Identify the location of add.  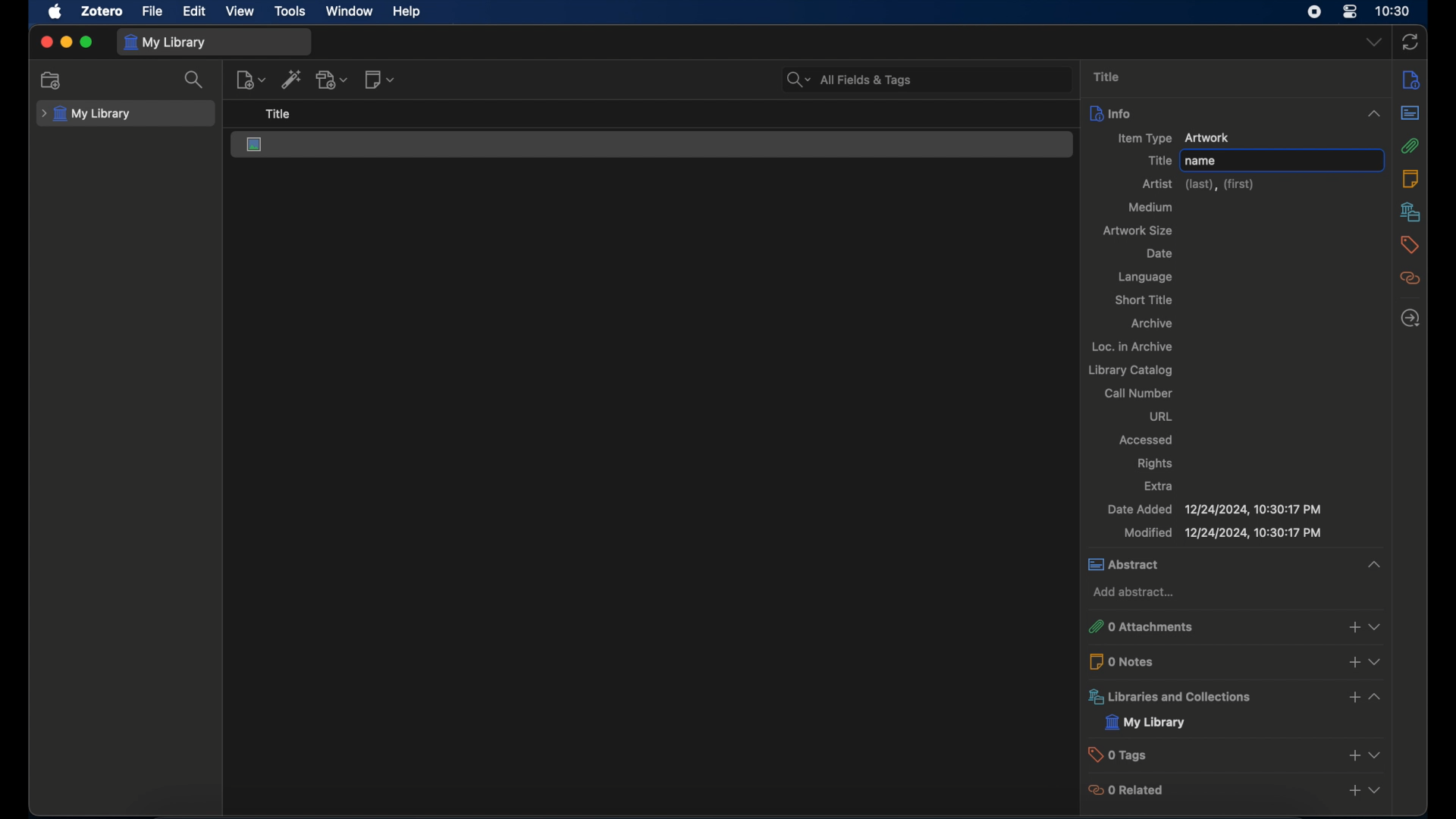
(1354, 795).